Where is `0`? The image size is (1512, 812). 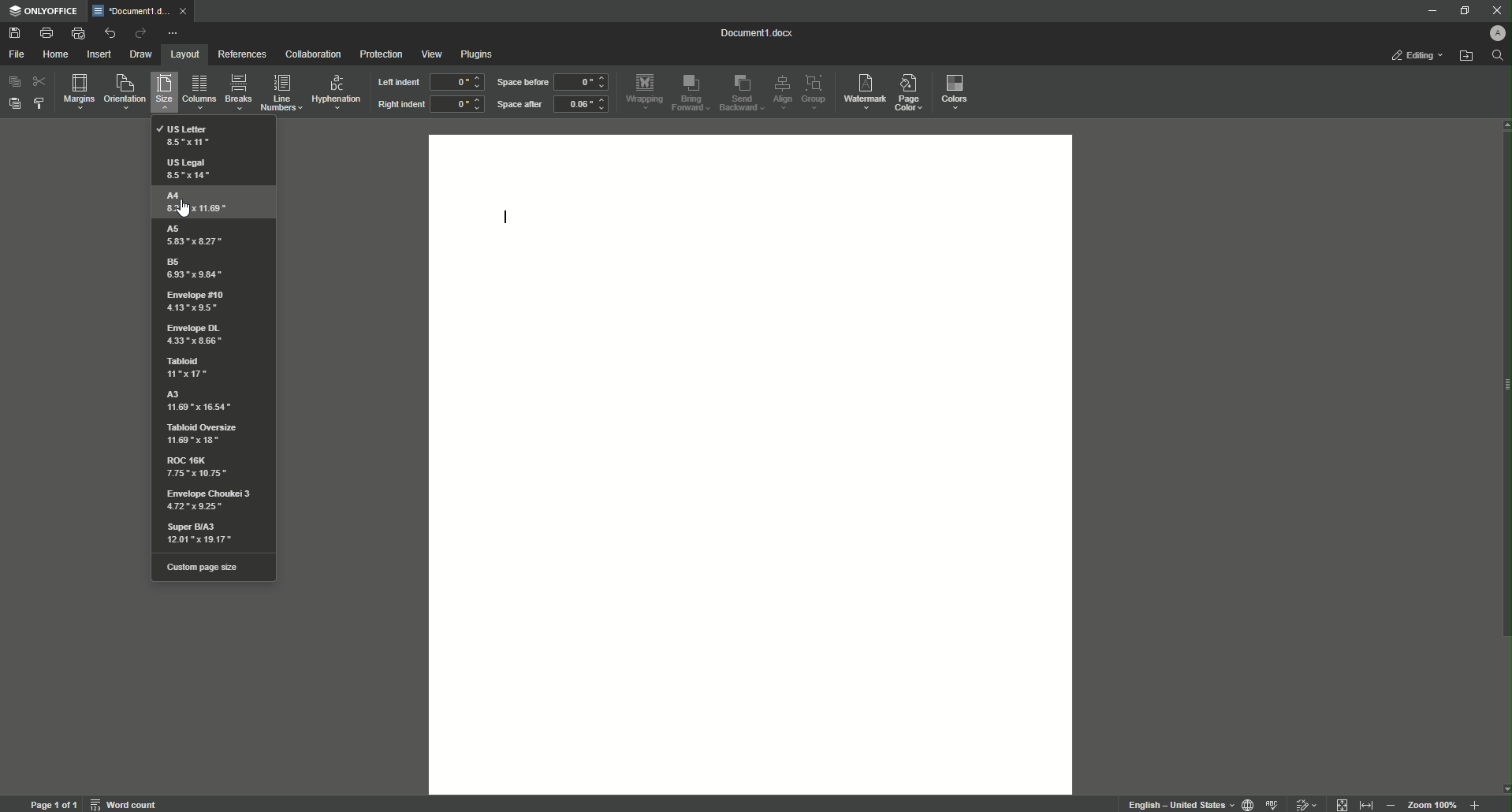 0 is located at coordinates (456, 81).